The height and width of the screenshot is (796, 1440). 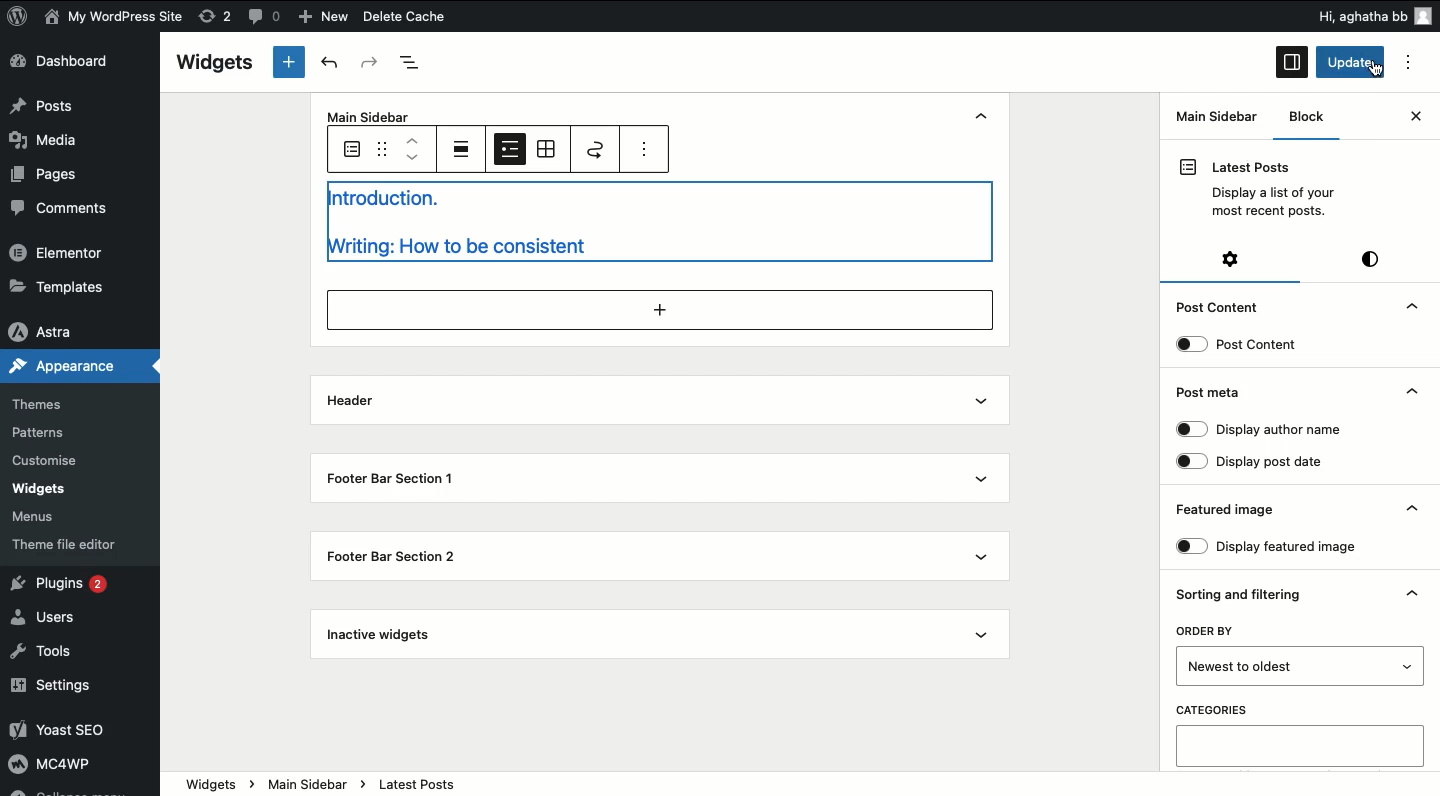 I want to click on sidebar, so click(x=1283, y=61).